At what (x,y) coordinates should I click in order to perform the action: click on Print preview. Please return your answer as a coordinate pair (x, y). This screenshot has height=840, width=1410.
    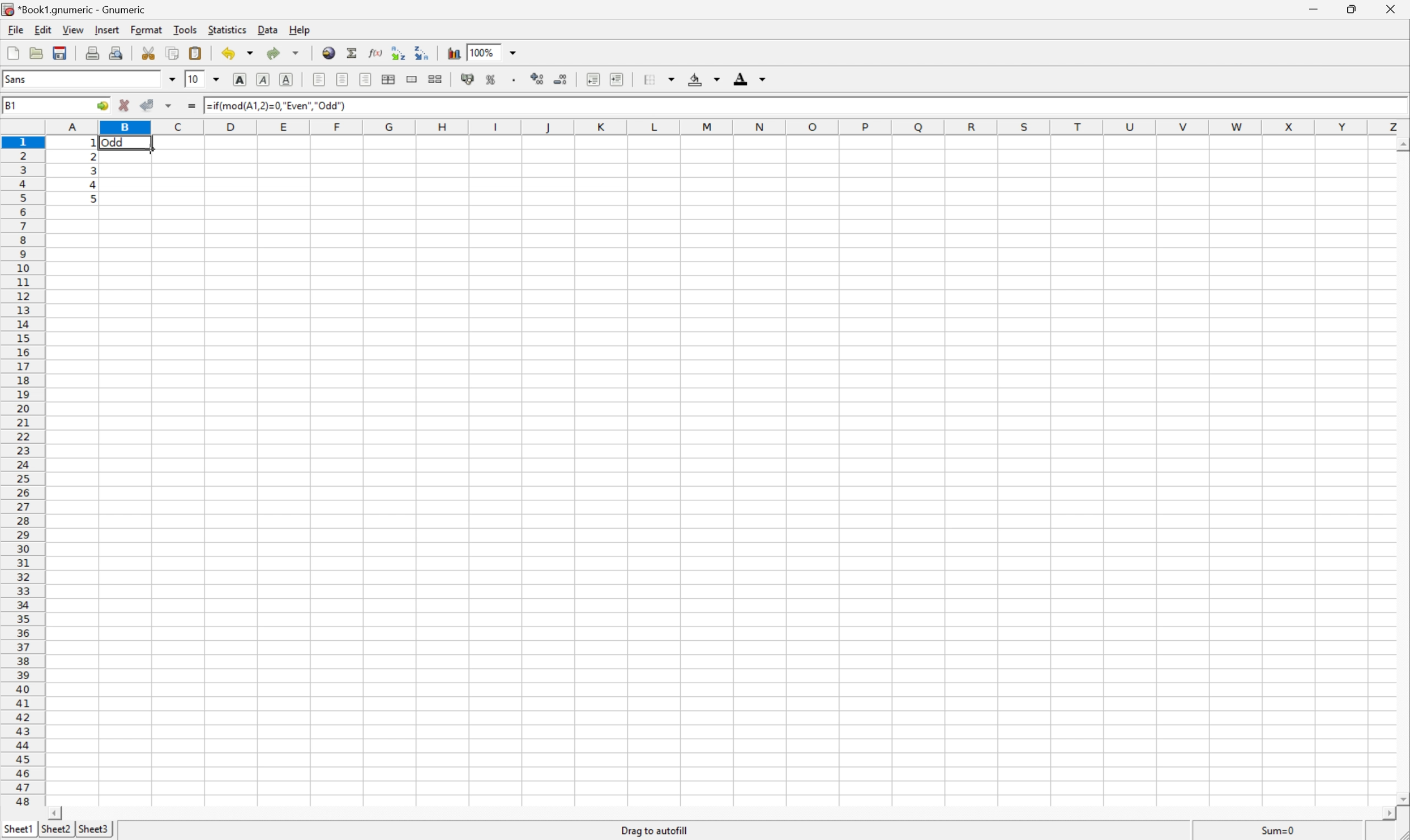
    Looking at the image, I should click on (116, 52).